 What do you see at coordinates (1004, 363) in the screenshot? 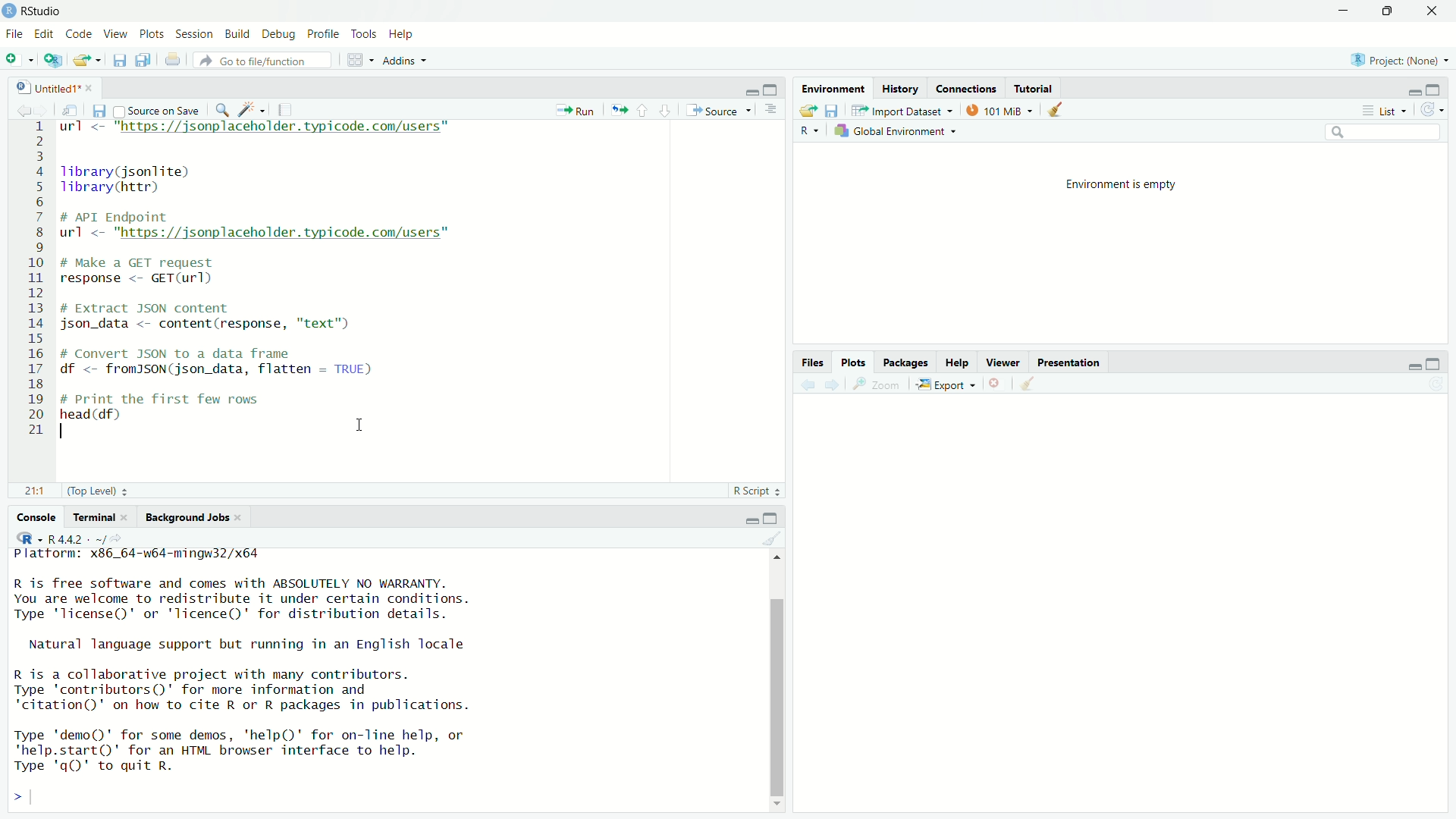
I see `Viewer` at bounding box center [1004, 363].